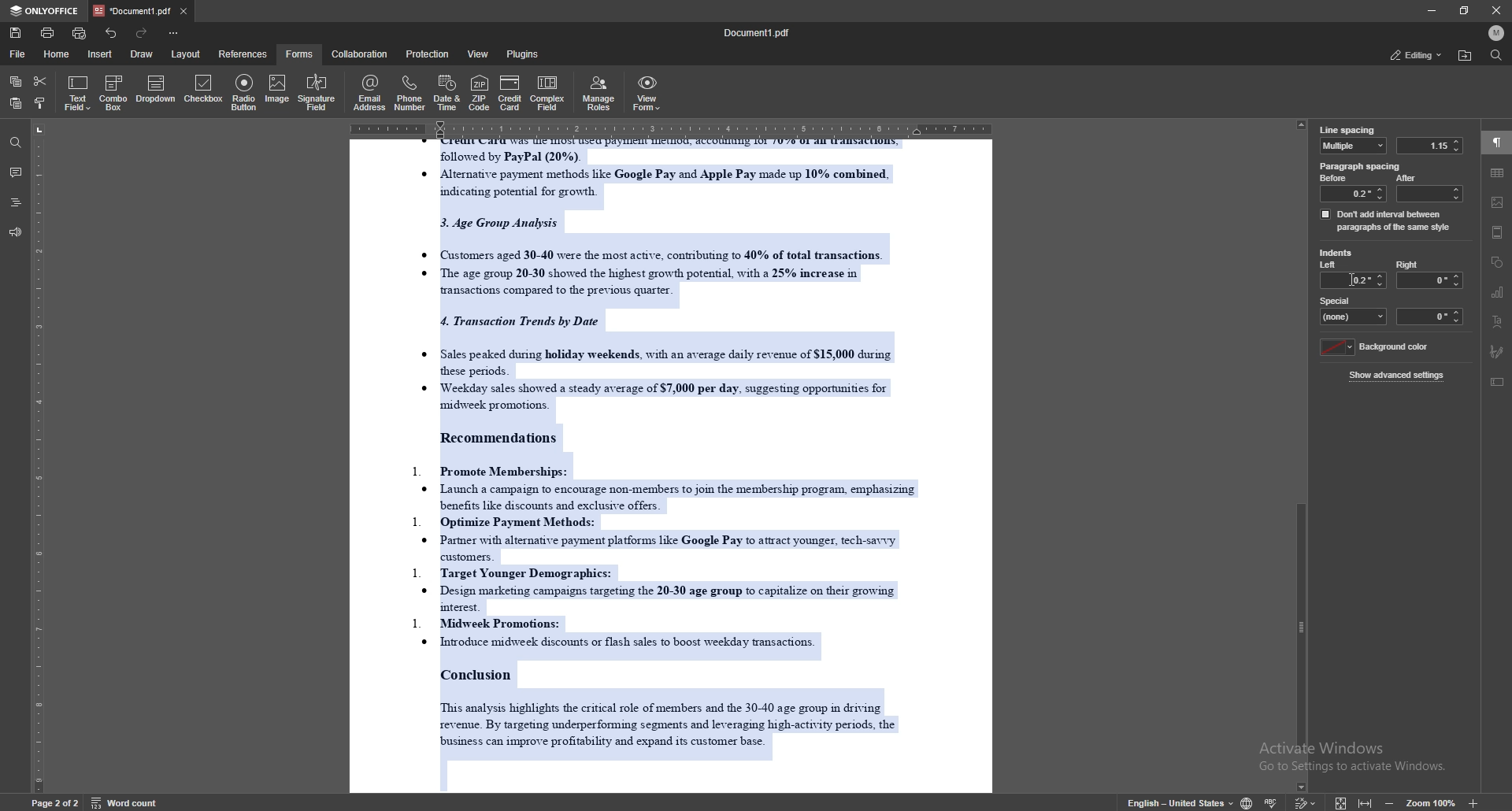  What do you see at coordinates (15, 172) in the screenshot?
I see `comment` at bounding box center [15, 172].